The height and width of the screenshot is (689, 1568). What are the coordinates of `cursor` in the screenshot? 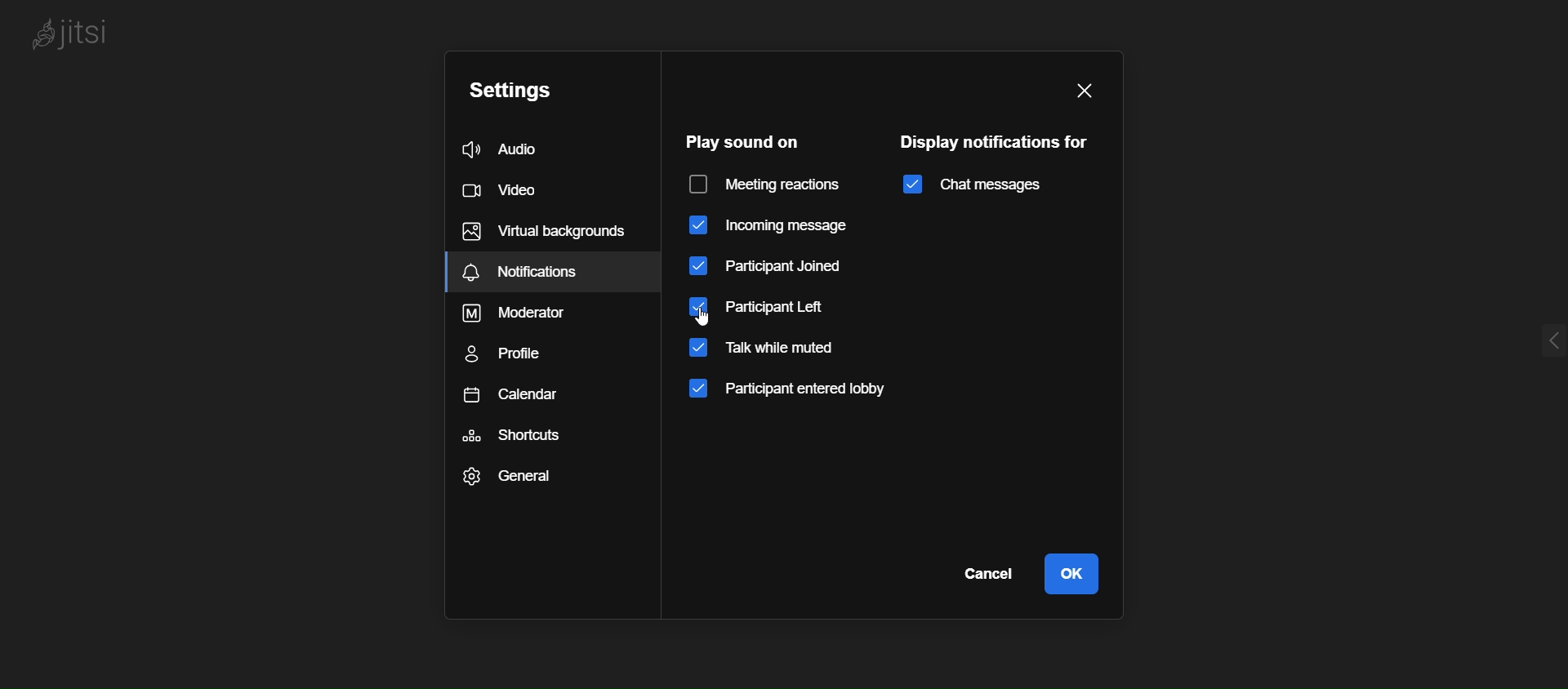 It's located at (724, 318).